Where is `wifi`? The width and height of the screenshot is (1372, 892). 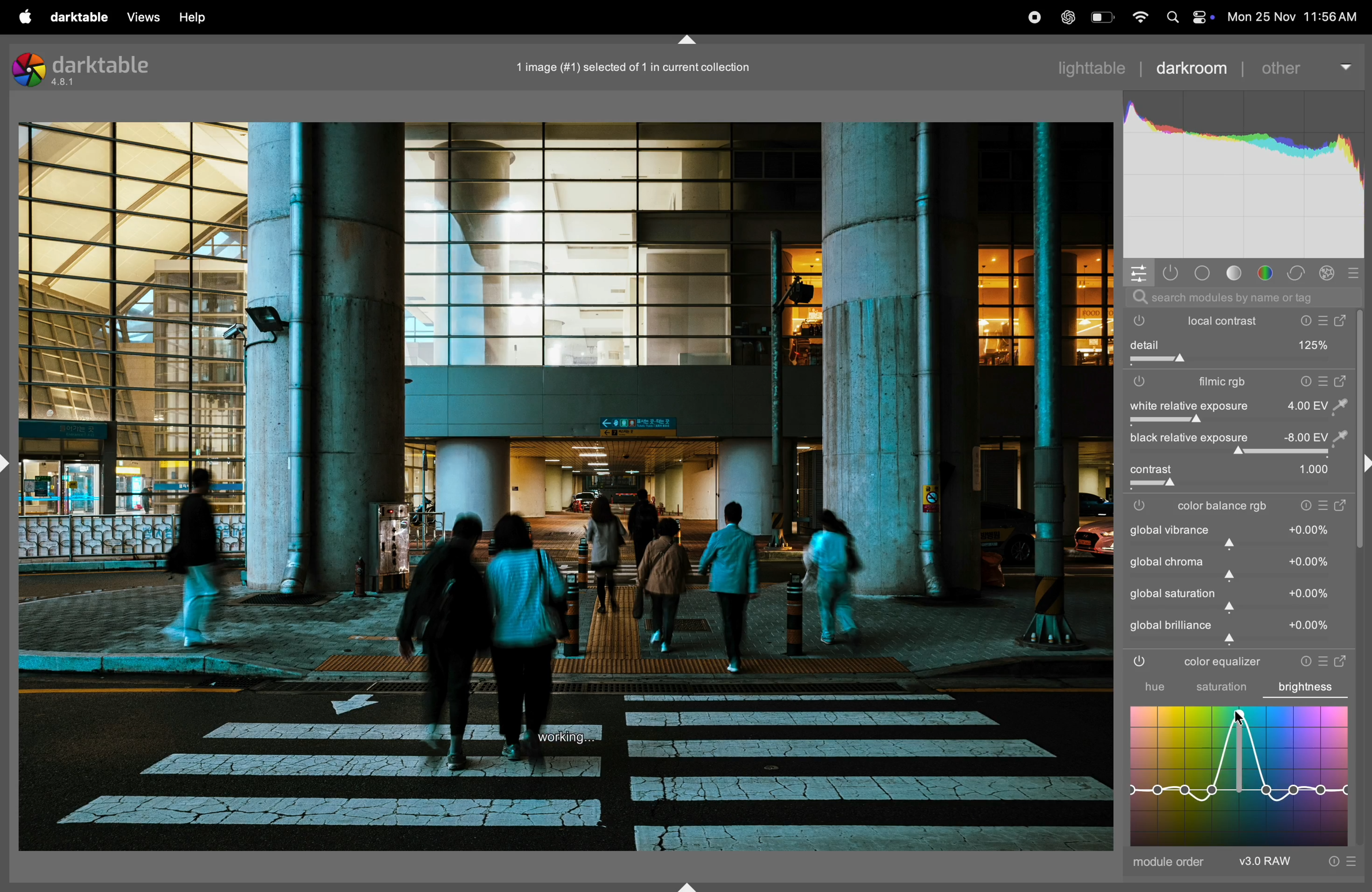
wifi is located at coordinates (1139, 17).